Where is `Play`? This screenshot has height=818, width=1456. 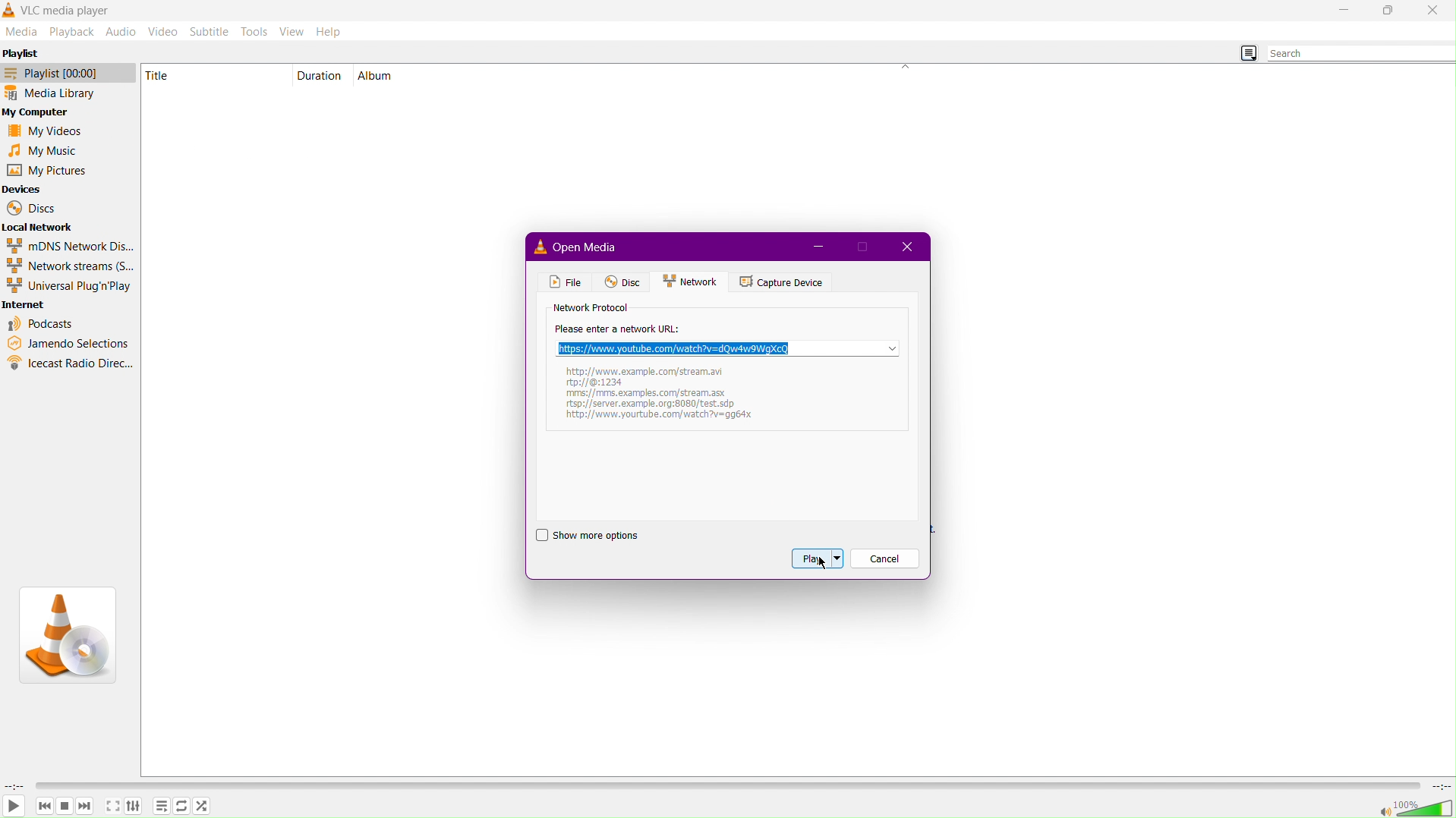 Play is located at coordinates (15, 807).